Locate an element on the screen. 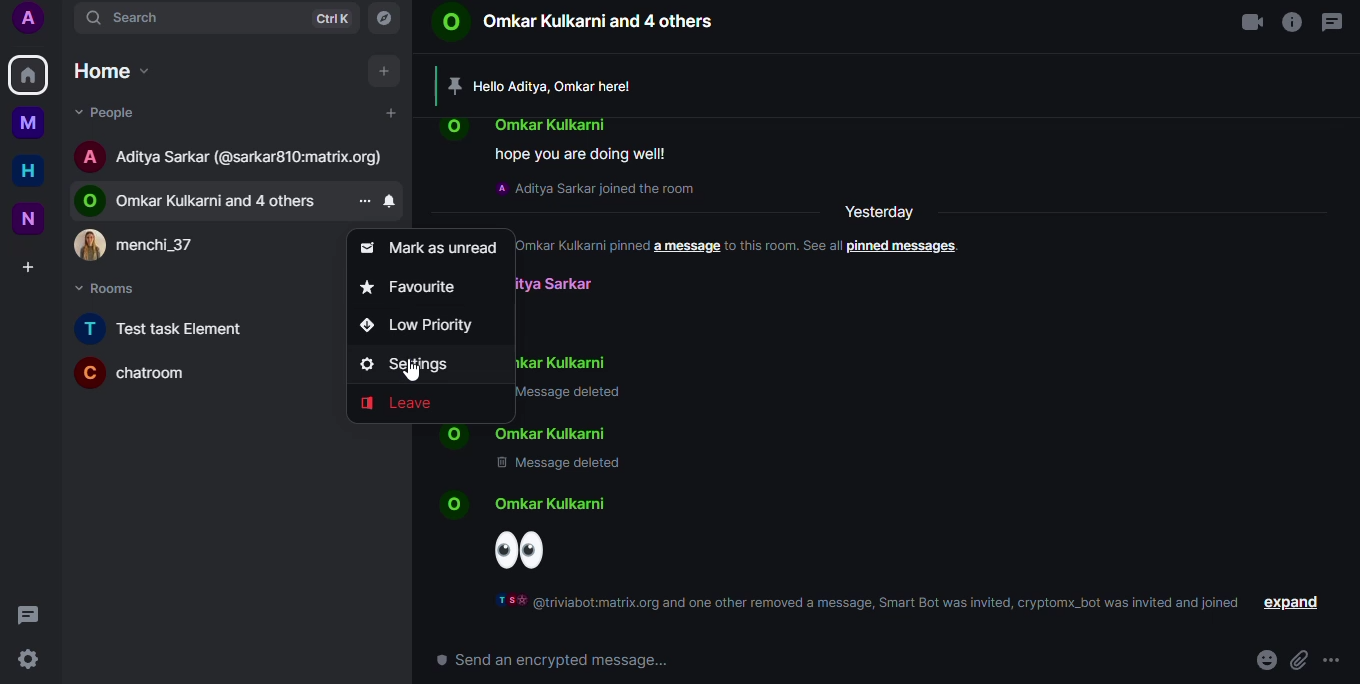 The height and width of the screenshot is (684, 1360). contact is located at coordinates (524, 126).